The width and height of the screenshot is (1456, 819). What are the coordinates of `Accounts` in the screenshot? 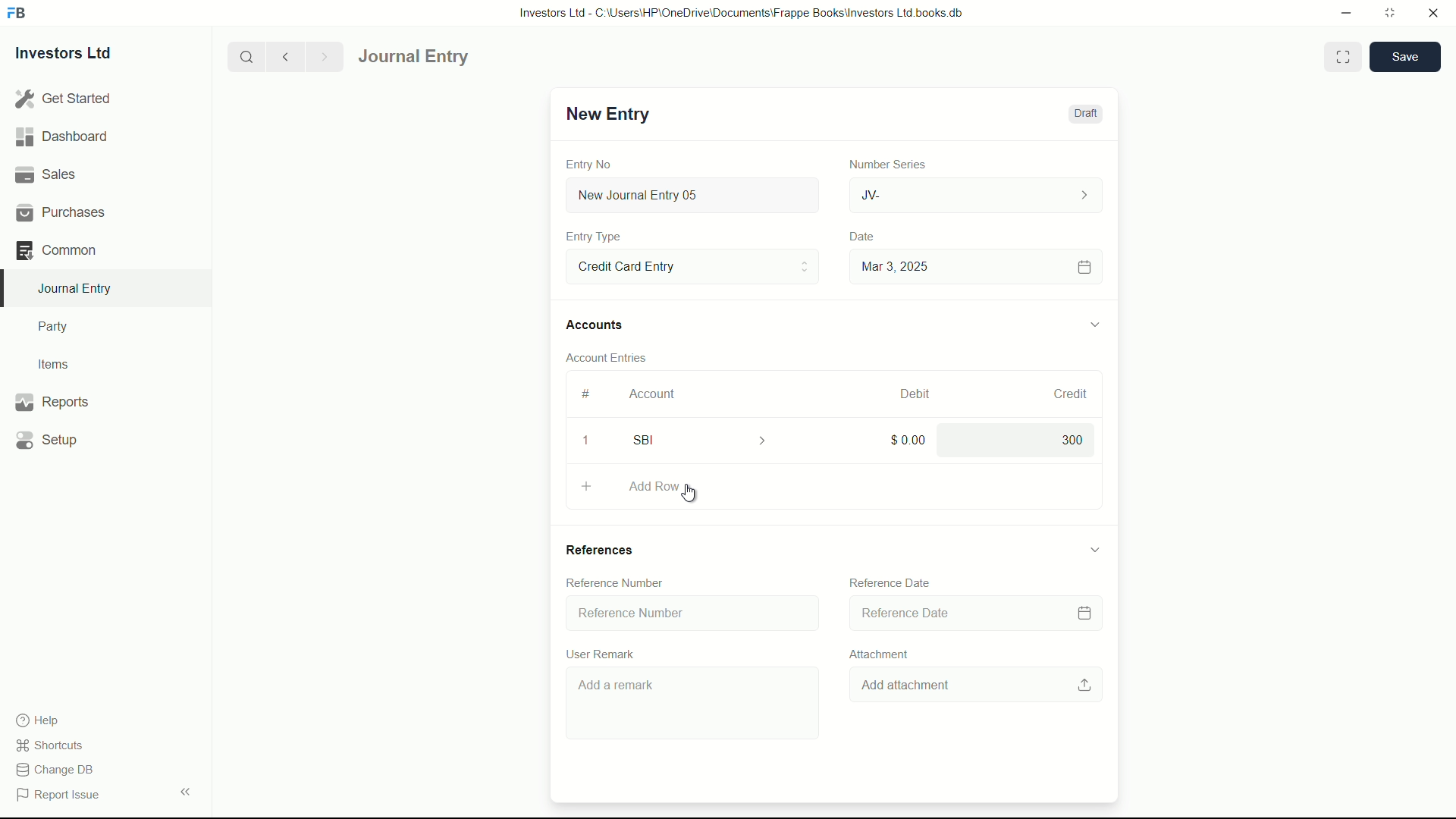 It's located at (598, 325).